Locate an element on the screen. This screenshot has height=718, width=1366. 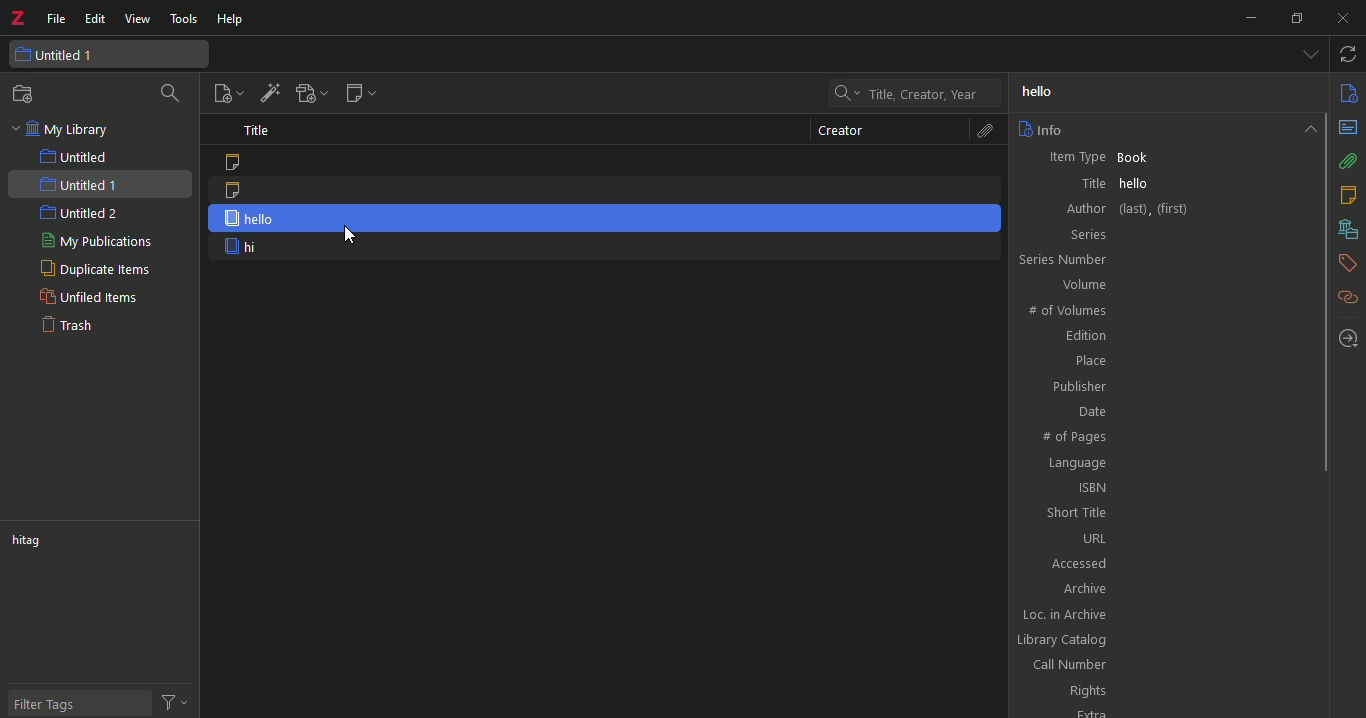
place is located at coordinates (1088, 359).